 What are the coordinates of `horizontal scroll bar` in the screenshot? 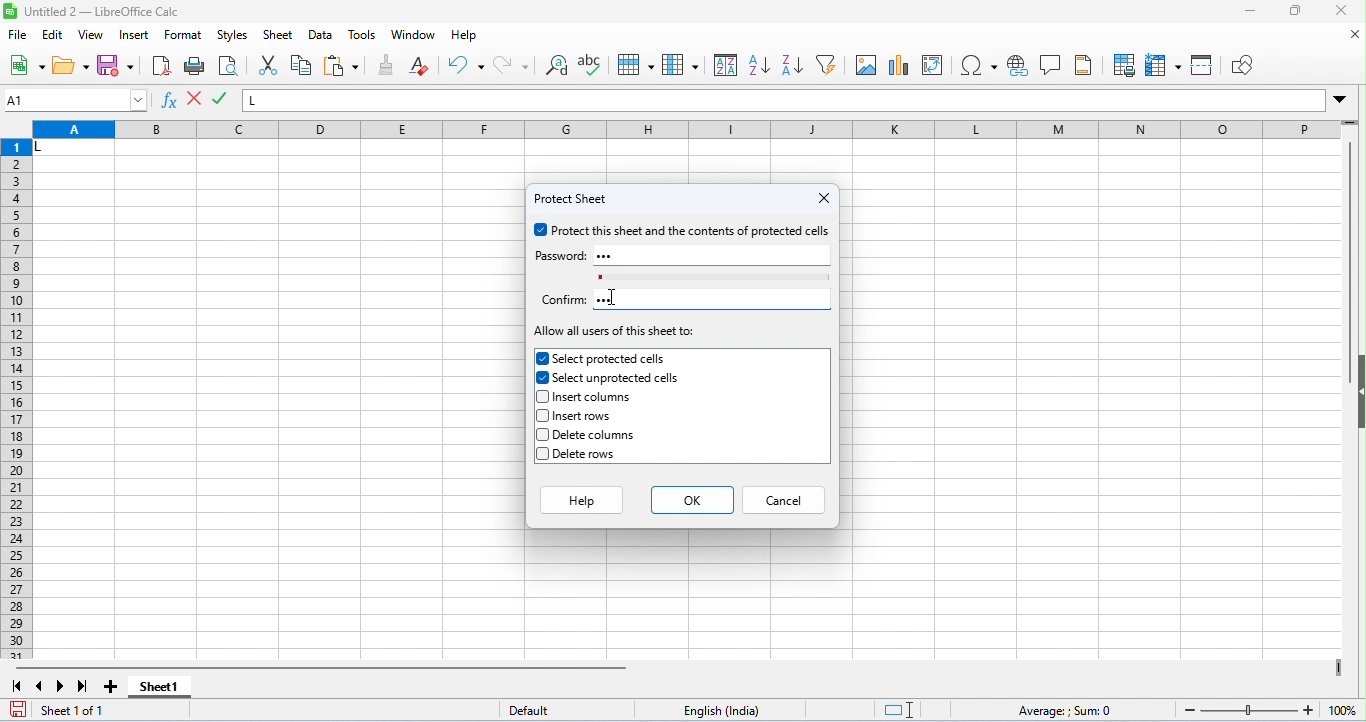 It's located at (326, 668).